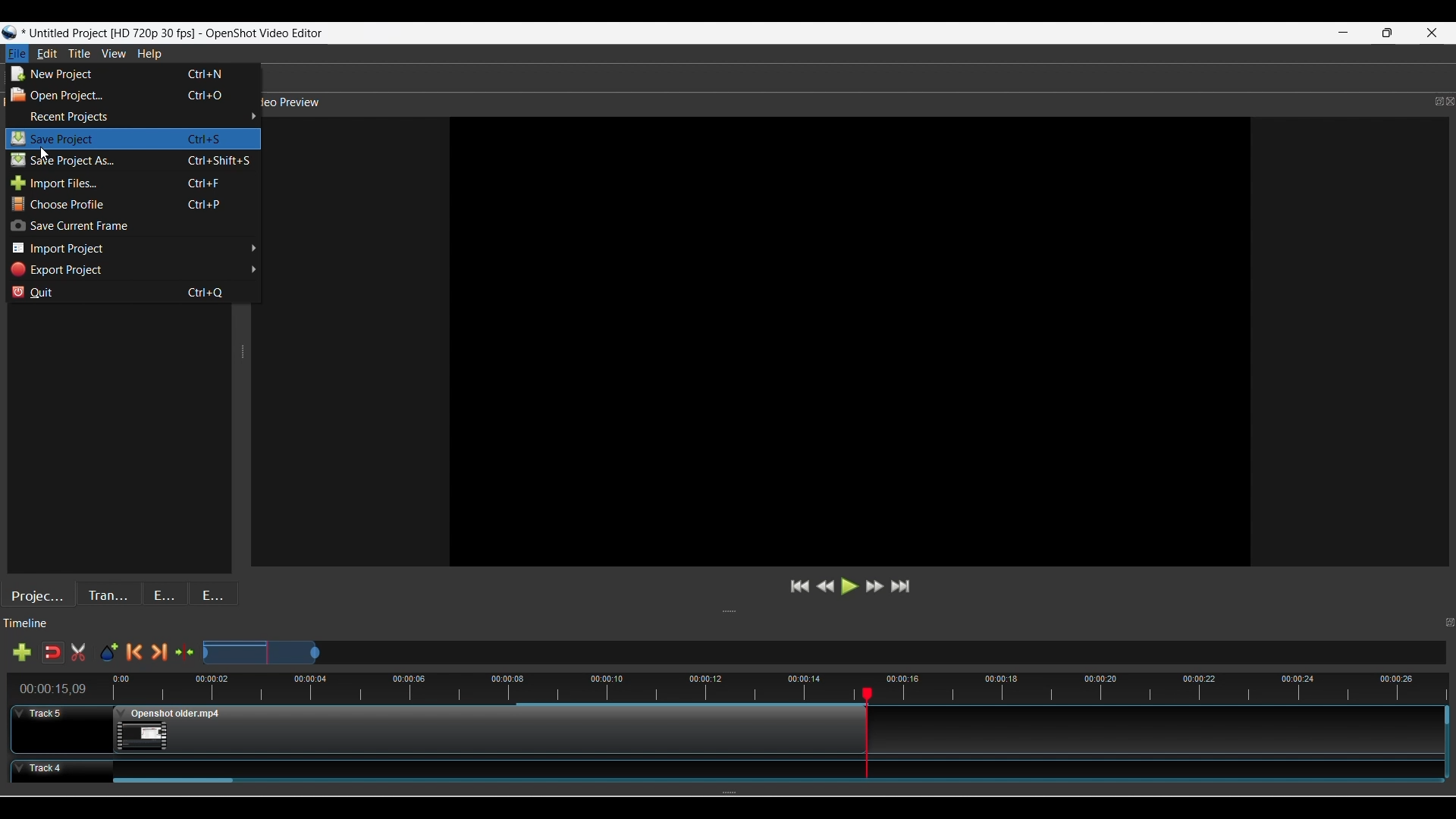 The height and width of the screenshot is (819, 1456). What do you see at coordinates (131, 226) in the screenshot?
I see `Save current frame` at bounding box center [131, 226].